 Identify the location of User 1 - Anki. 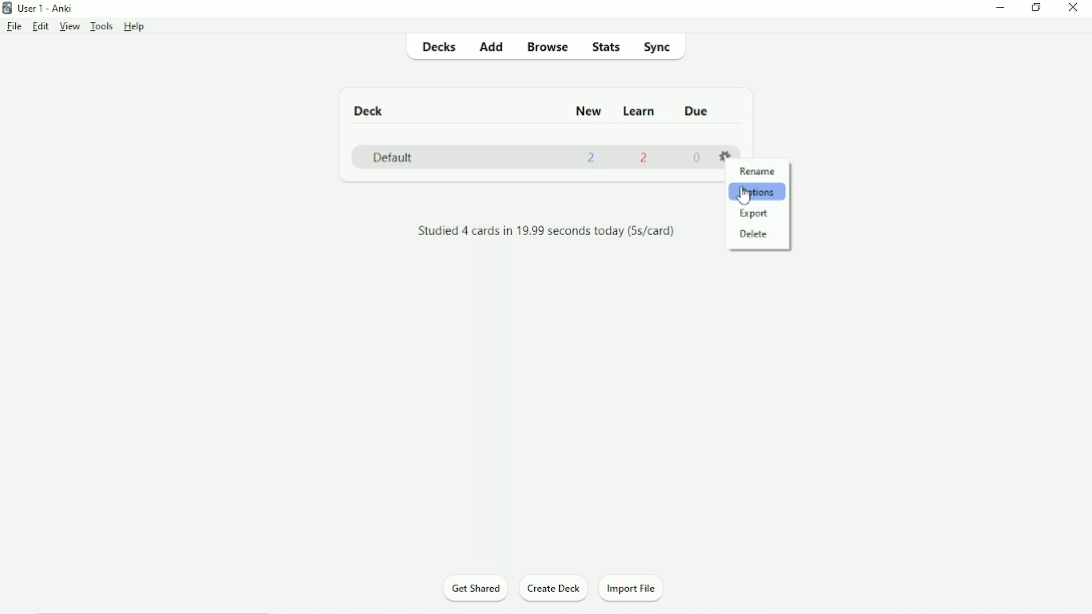
(40, 7).